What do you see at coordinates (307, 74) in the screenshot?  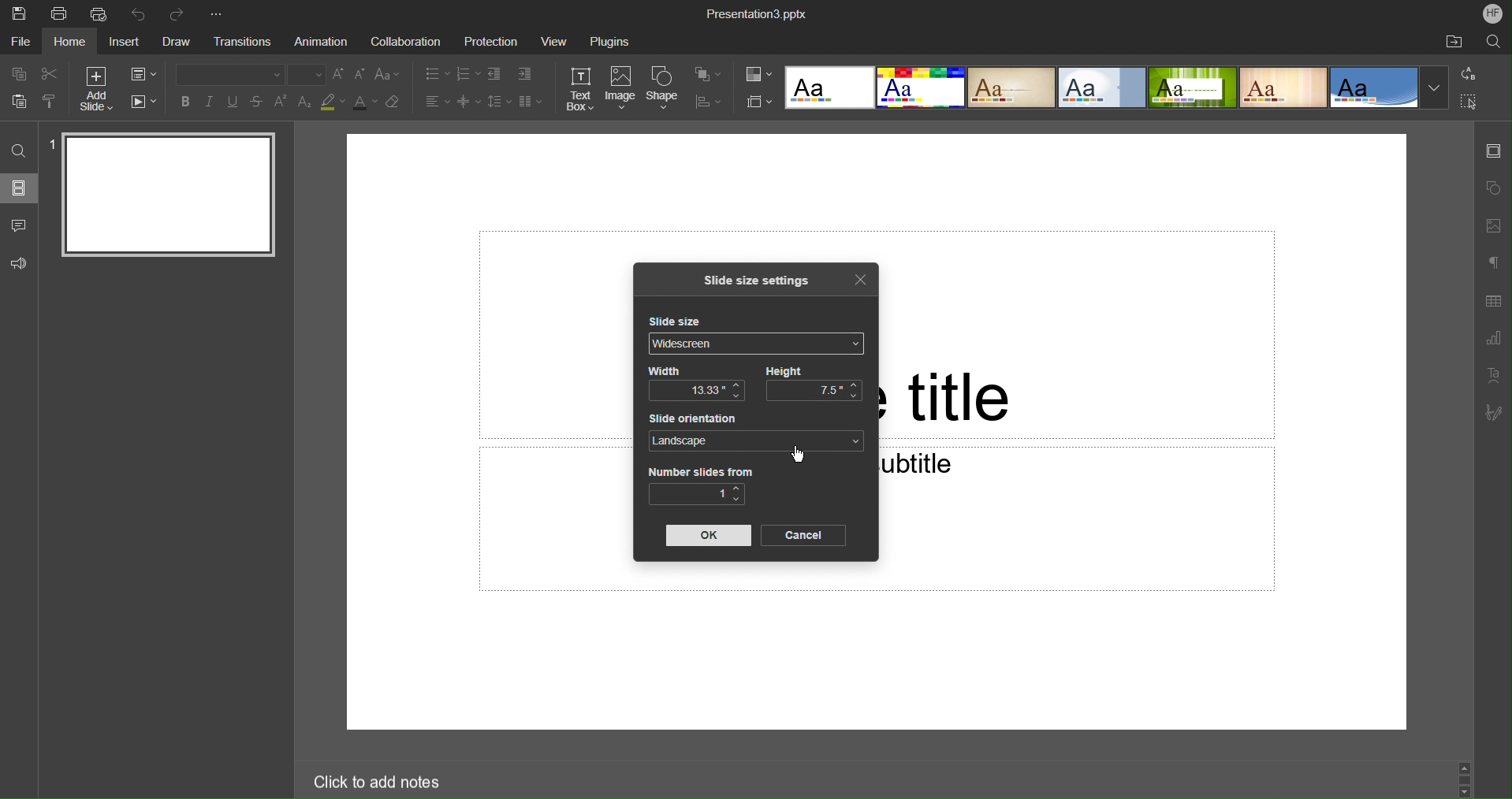 I see `Font size` at bounding box center [307, 74].